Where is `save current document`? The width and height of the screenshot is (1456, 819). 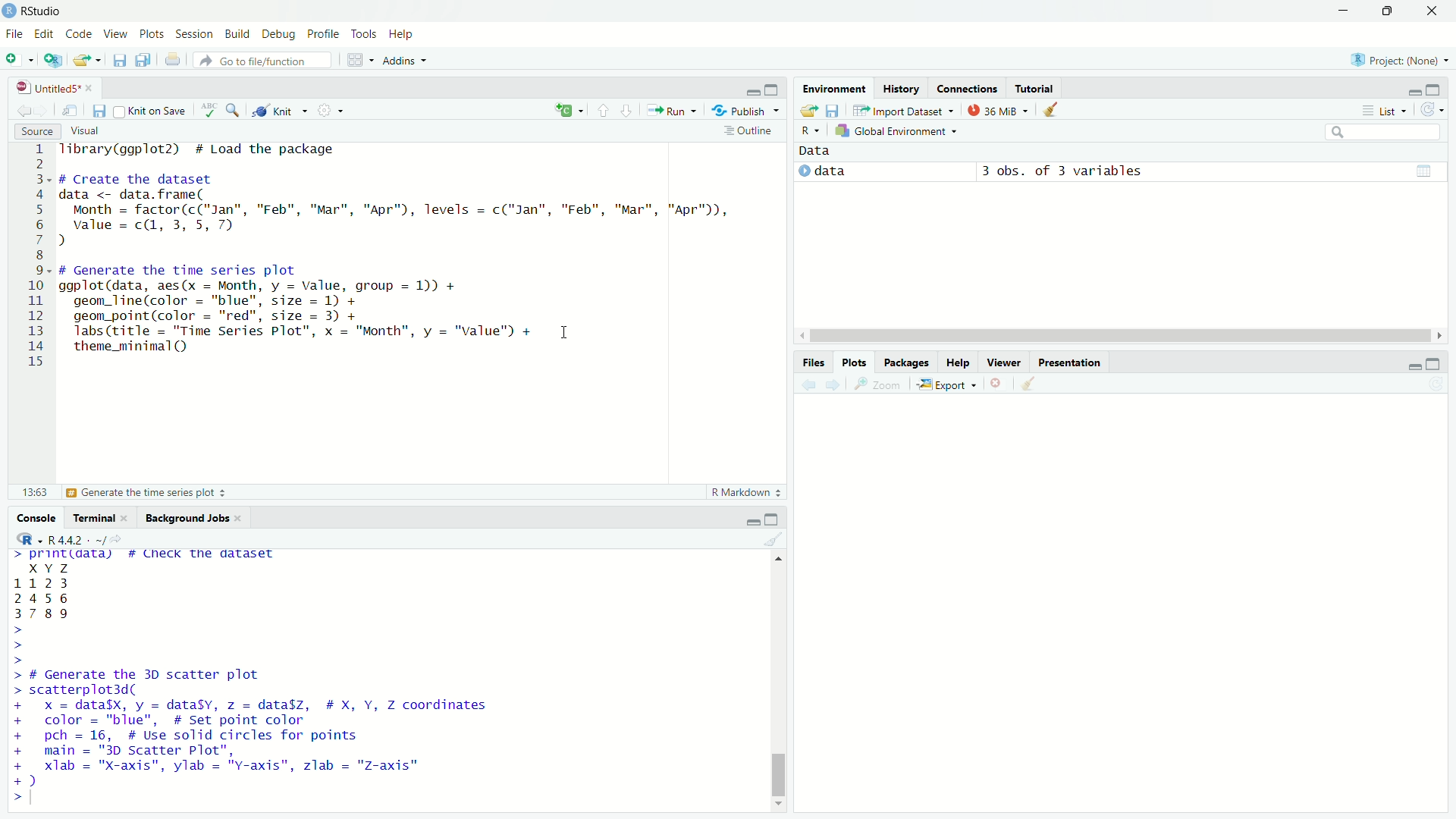
save current document is located at coordinates (119, 61).